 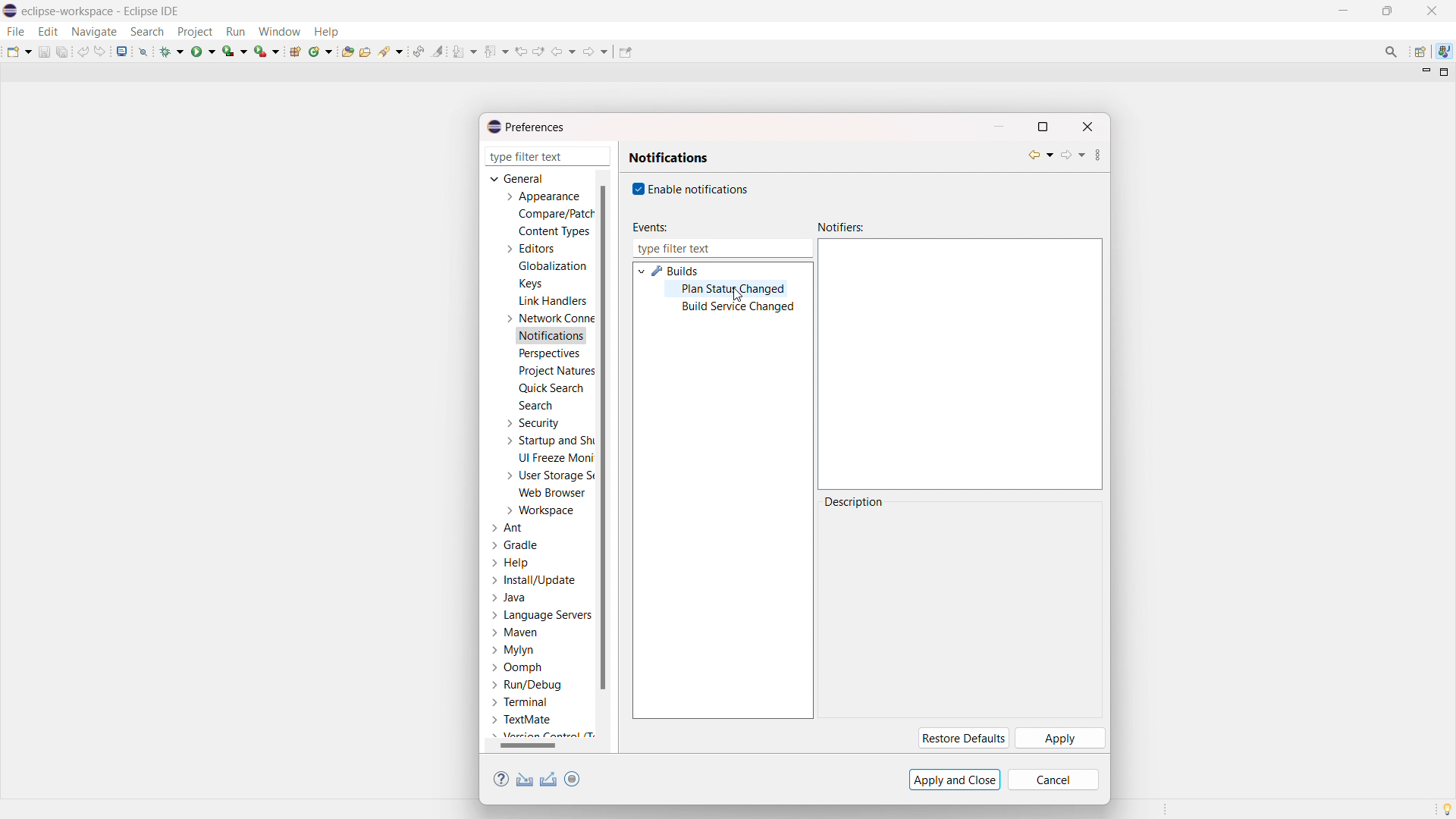 I want to click on workspace, so click(x=539, y=510).